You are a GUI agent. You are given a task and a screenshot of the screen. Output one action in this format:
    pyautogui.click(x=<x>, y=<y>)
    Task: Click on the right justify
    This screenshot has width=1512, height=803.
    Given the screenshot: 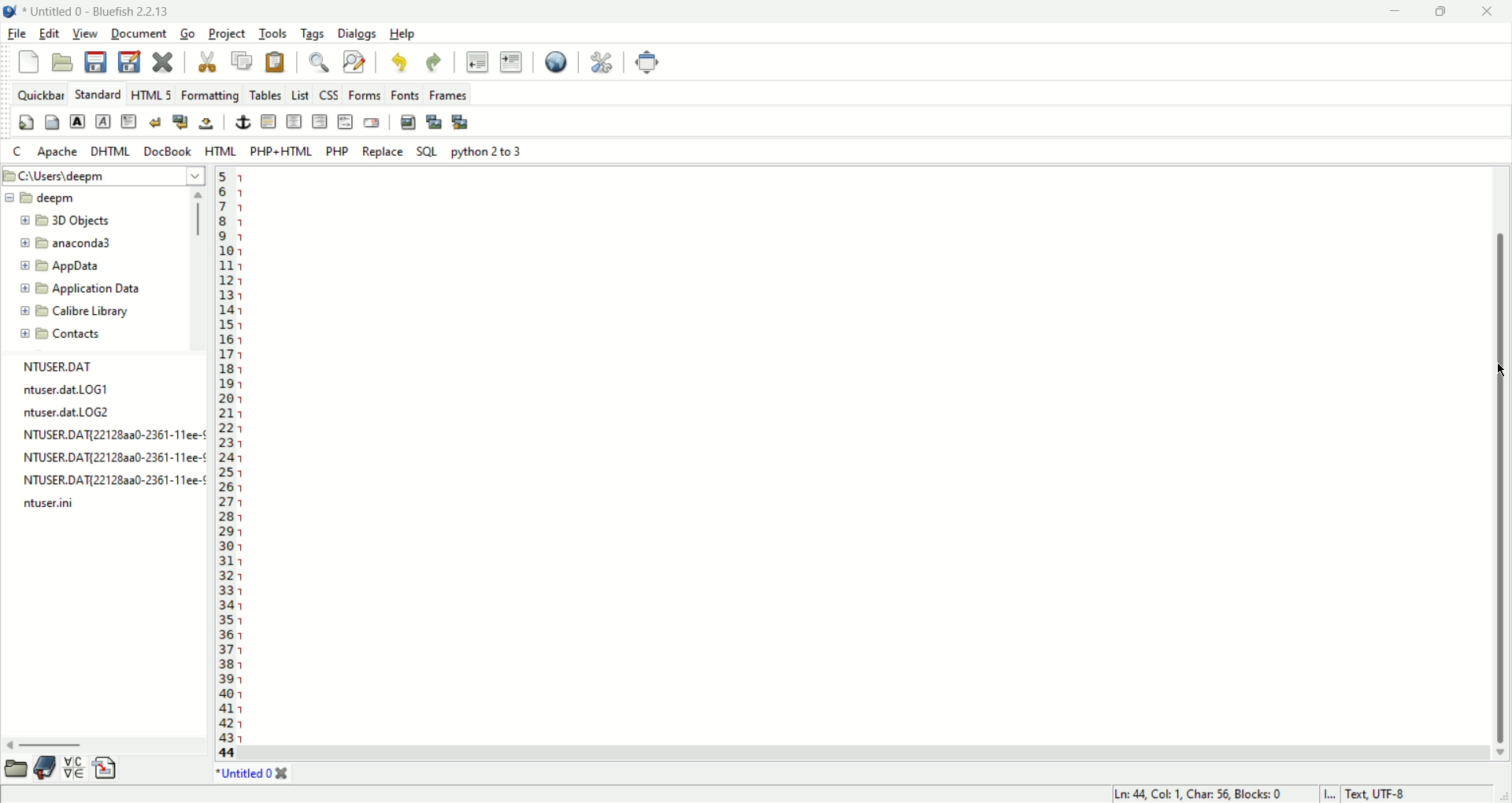 What is the action you would take?
    pyautogui.click(x=321, y=121)
    